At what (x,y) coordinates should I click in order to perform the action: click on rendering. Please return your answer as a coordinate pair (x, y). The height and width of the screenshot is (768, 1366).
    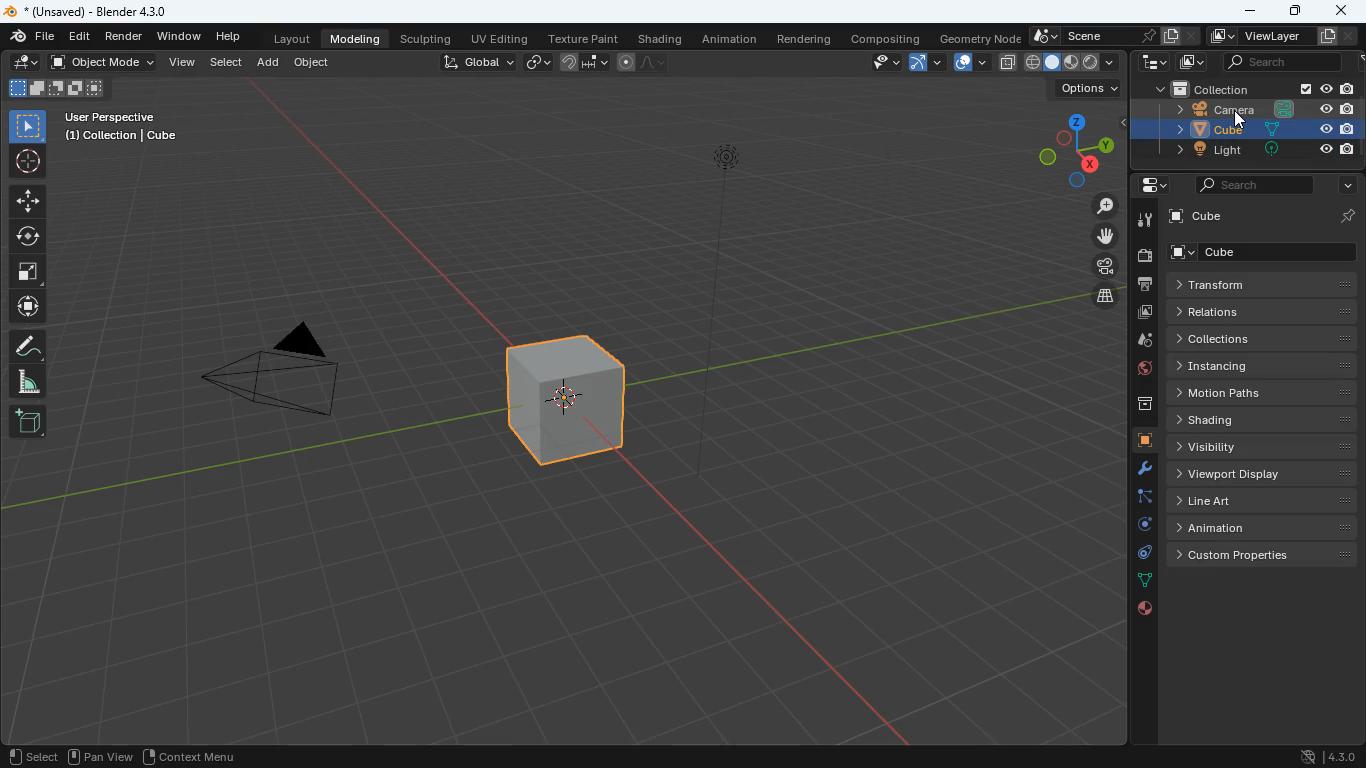
    Looking at the image, I should click on (805, 38).